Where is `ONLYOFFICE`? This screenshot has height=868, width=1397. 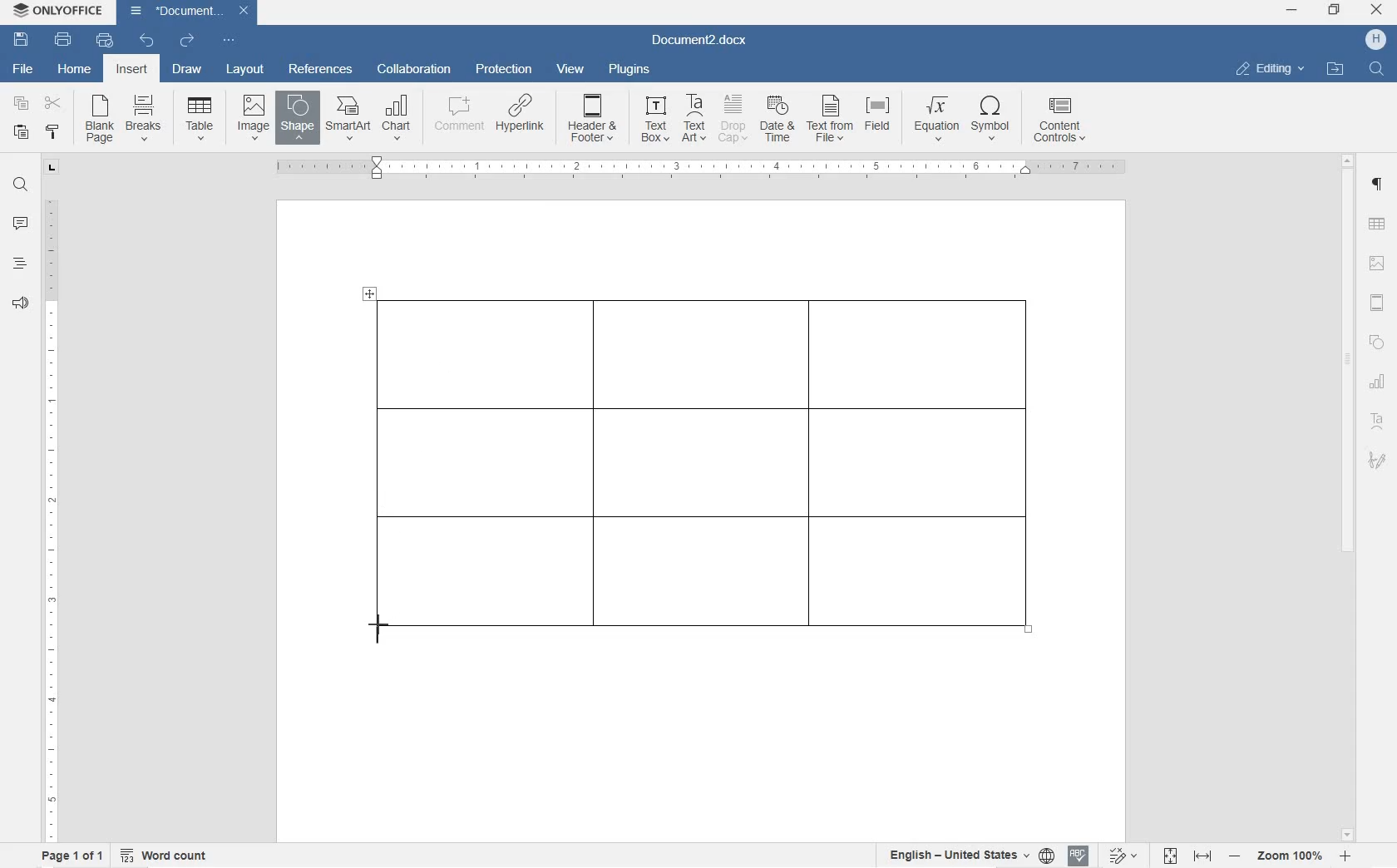
ONLYOFFICE is located at coordinates (61, 11).